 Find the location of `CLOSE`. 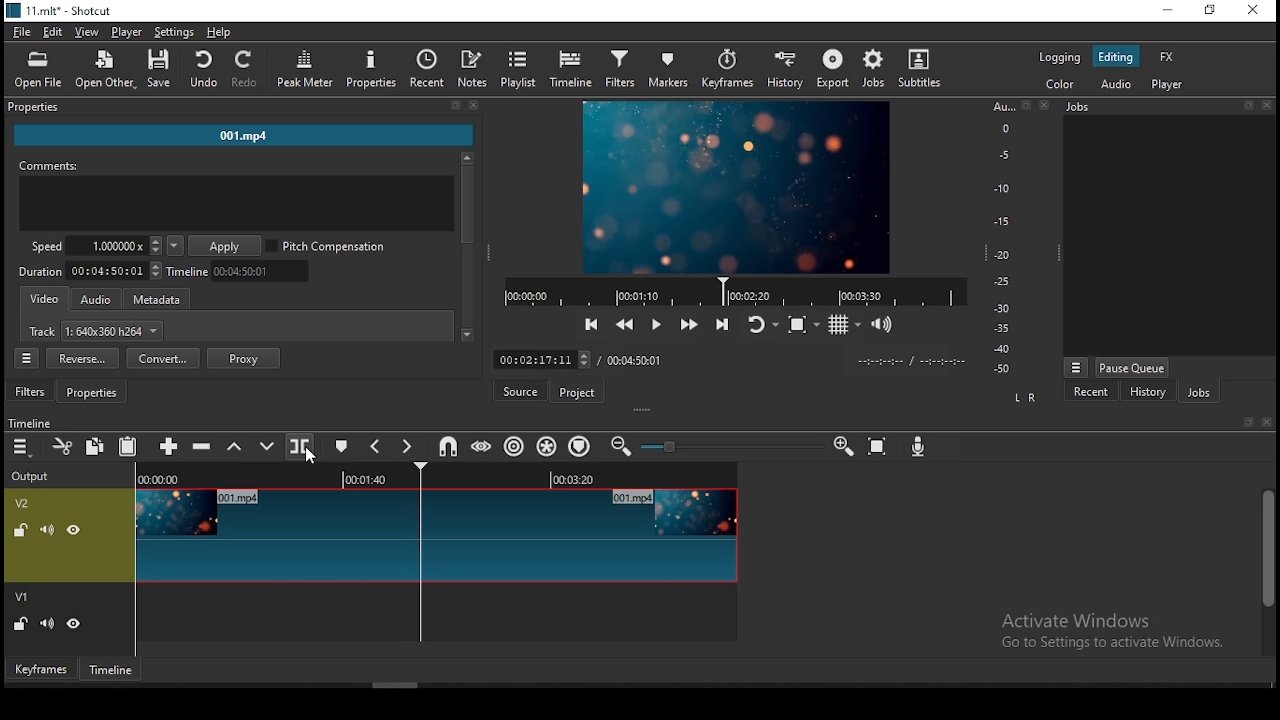

CLOSE is located at coordinates (1265, 423).